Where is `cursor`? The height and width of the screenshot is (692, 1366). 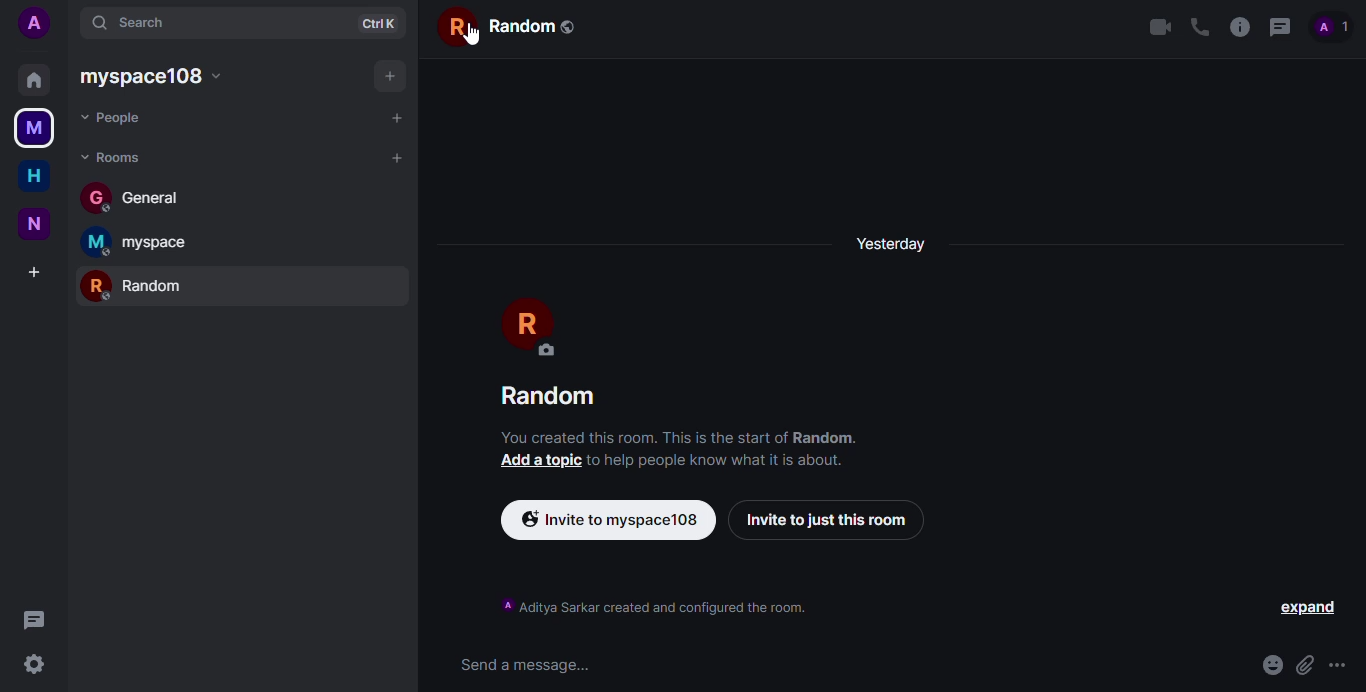
cursor is located at coordinates (457, 34).